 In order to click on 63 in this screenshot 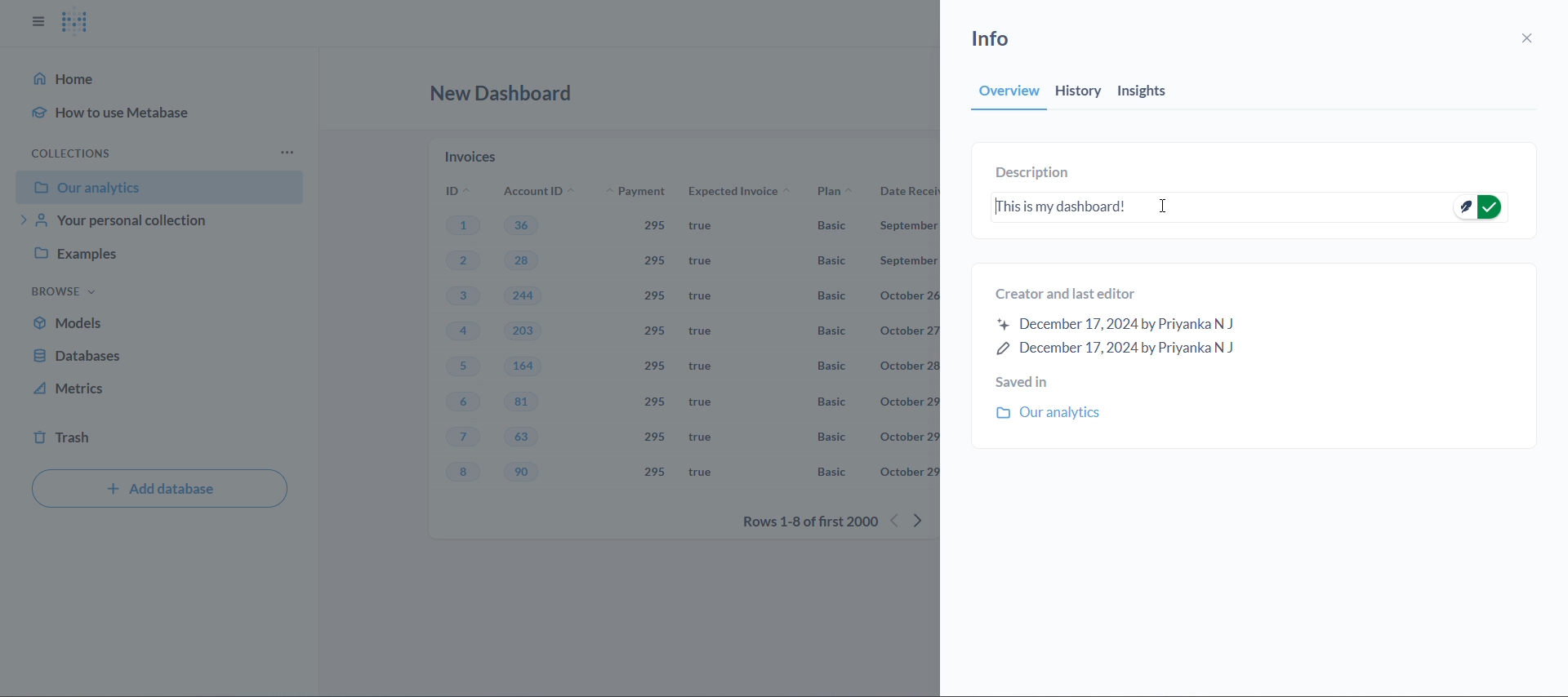, I will do `click(526, 437)`.